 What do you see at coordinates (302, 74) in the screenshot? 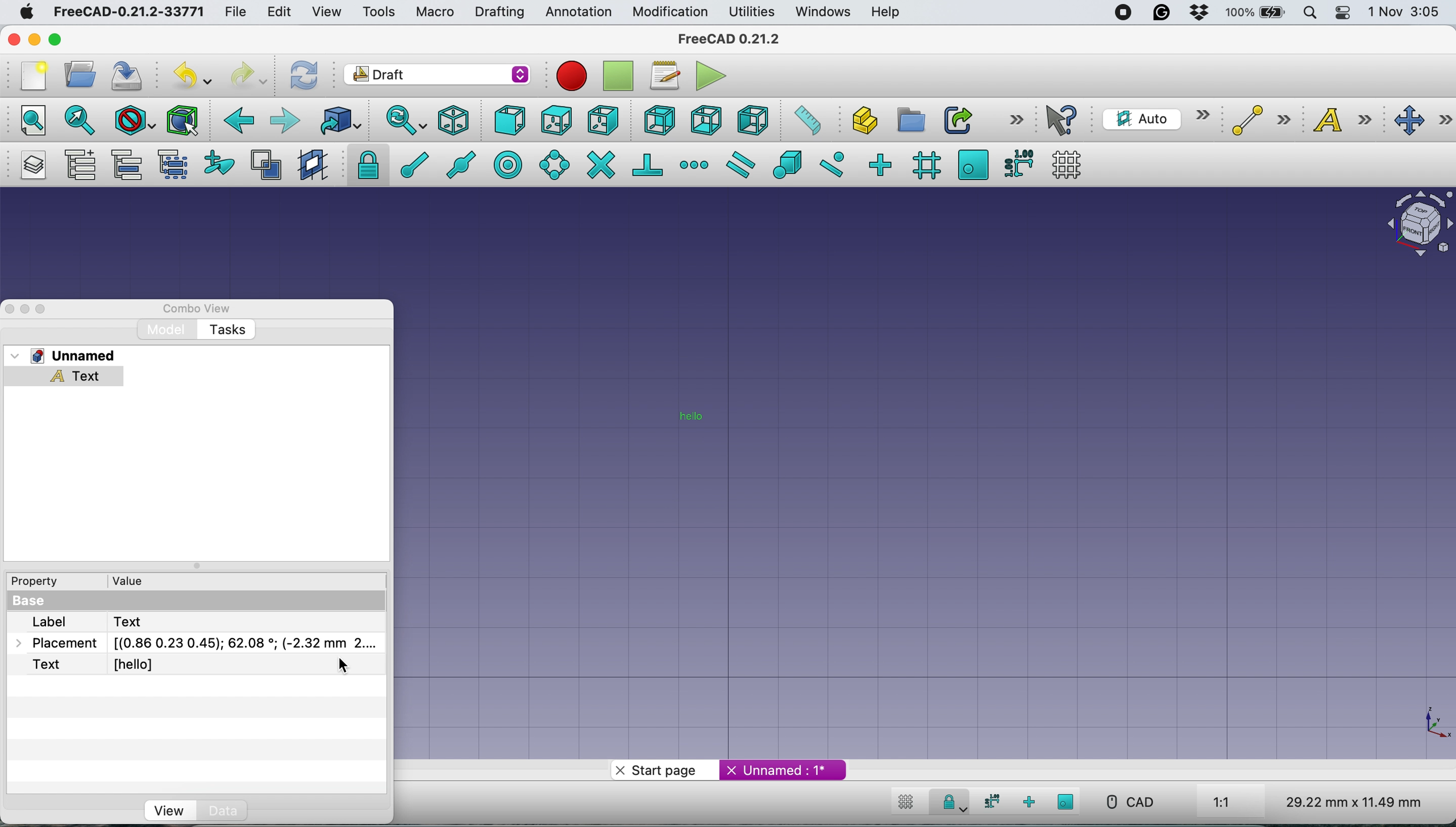
I see `refresh` at bounding box center [302, 74].